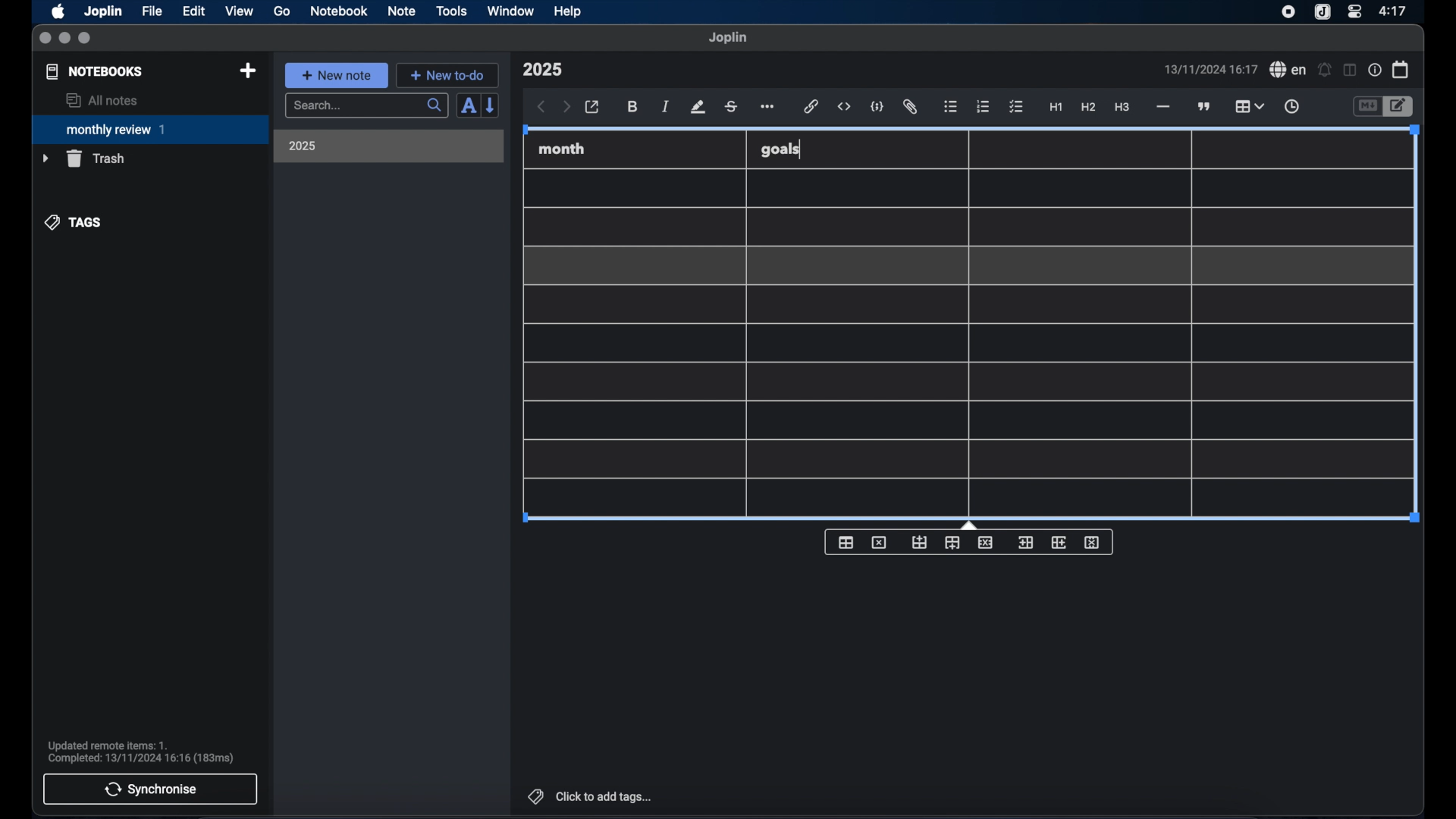  What do you see at coordinates (45, 39) in the screenshot?
I see `close` at bounding box center [45, 39].